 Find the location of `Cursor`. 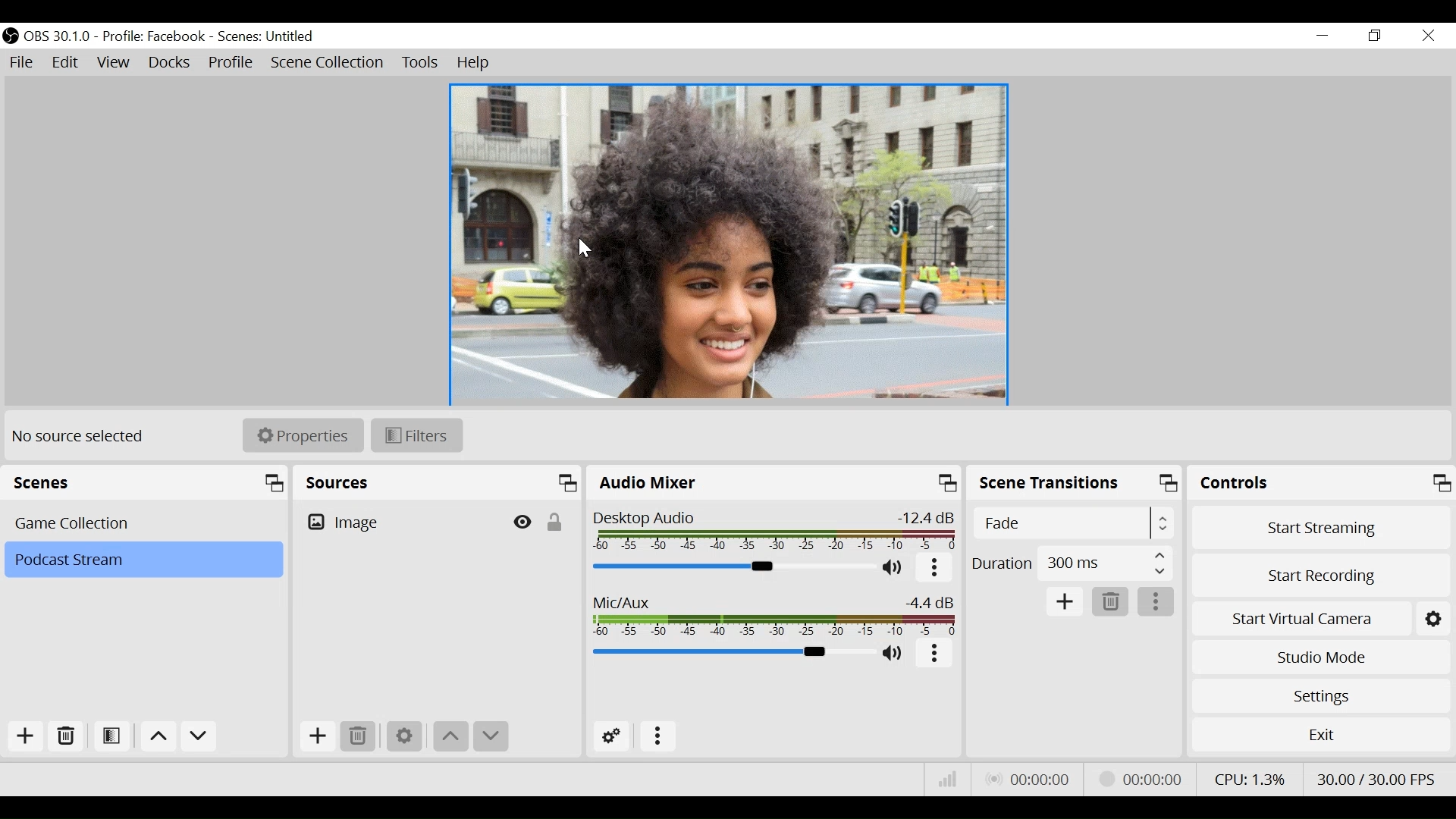

Cursor is located at coordinates (586, 247).